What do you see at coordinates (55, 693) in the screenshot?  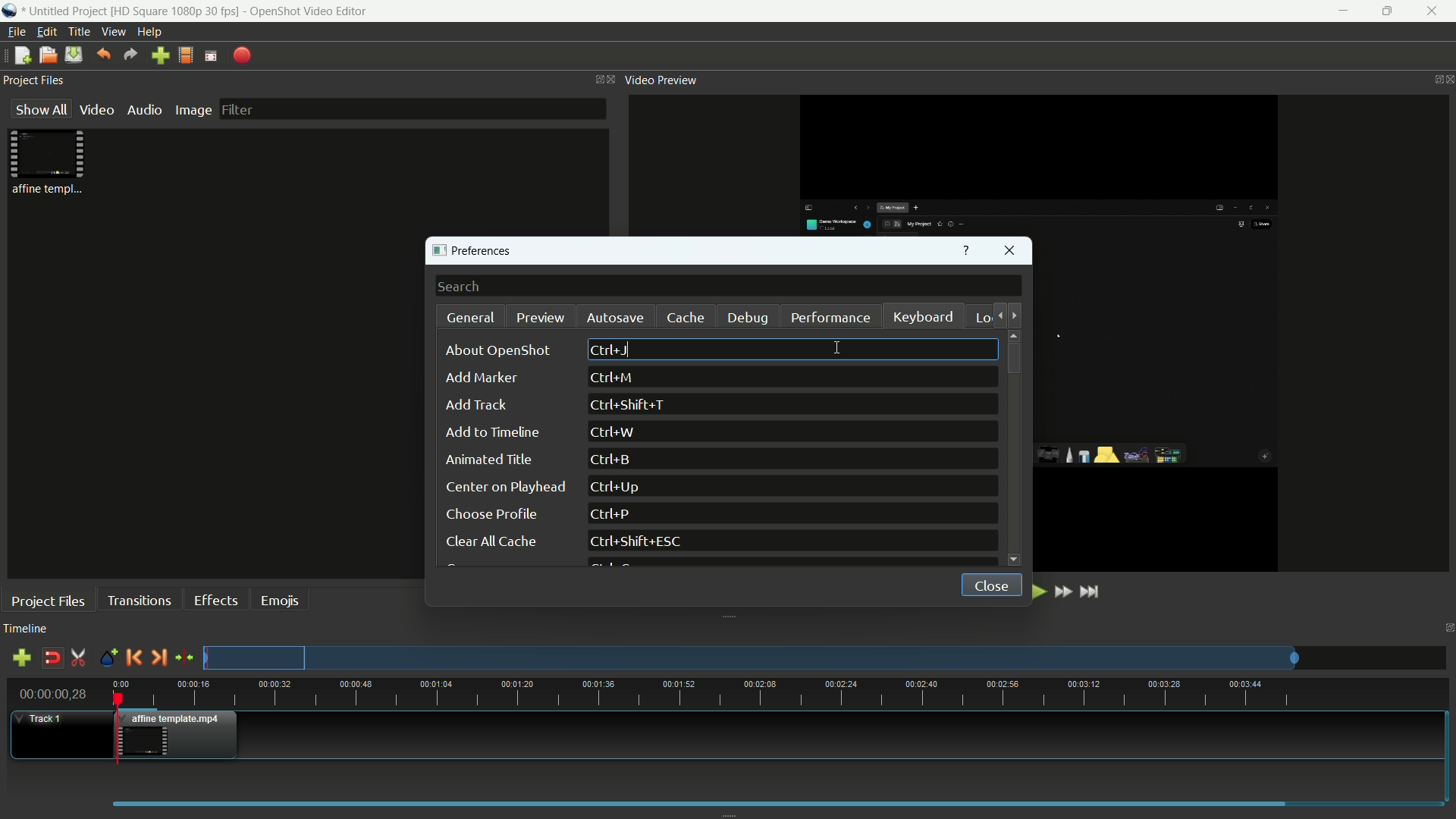 I see `current time` at bounding box center [55, 693].